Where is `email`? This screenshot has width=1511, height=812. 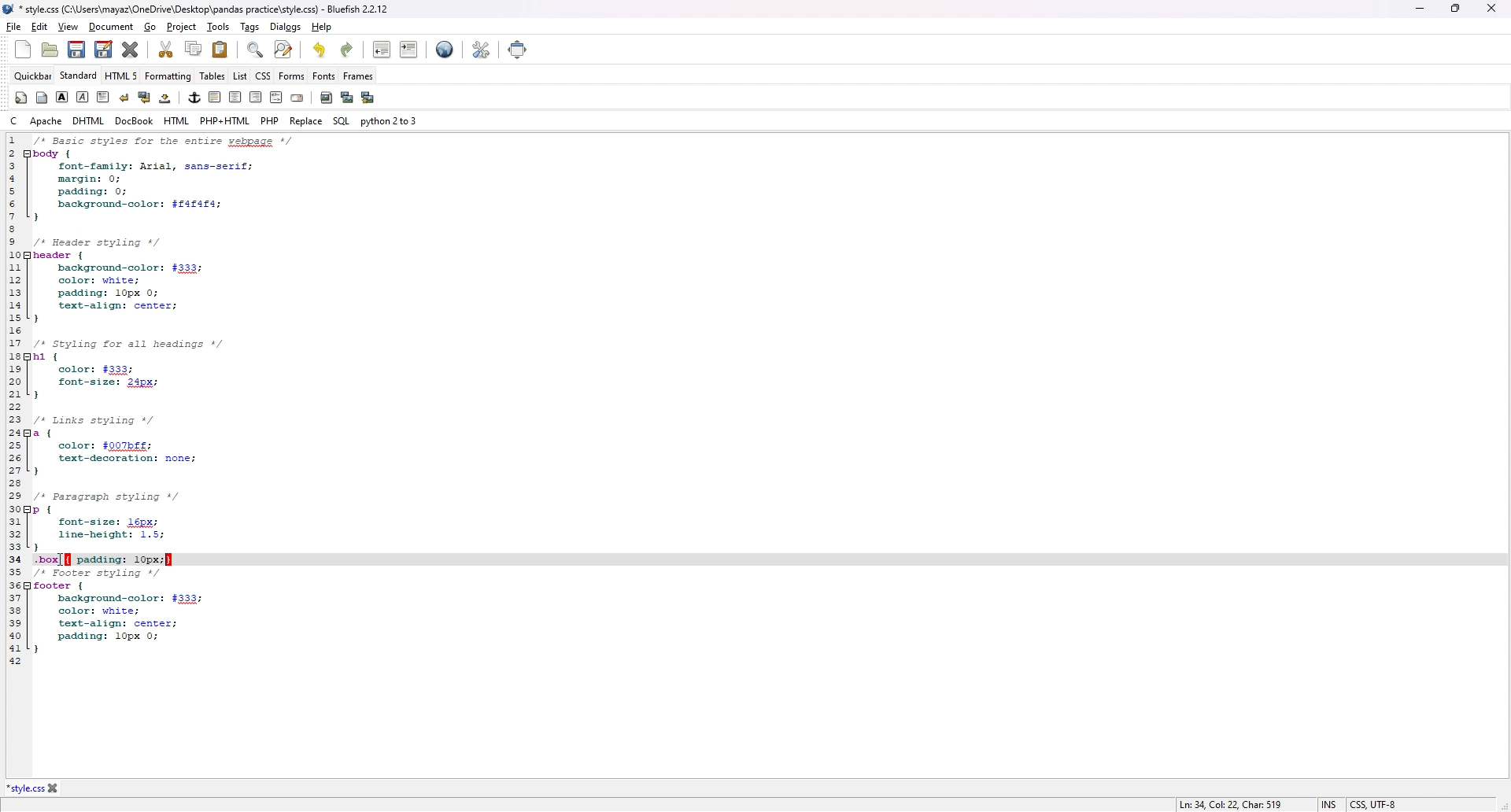 email is located at coordinates (297, 98).